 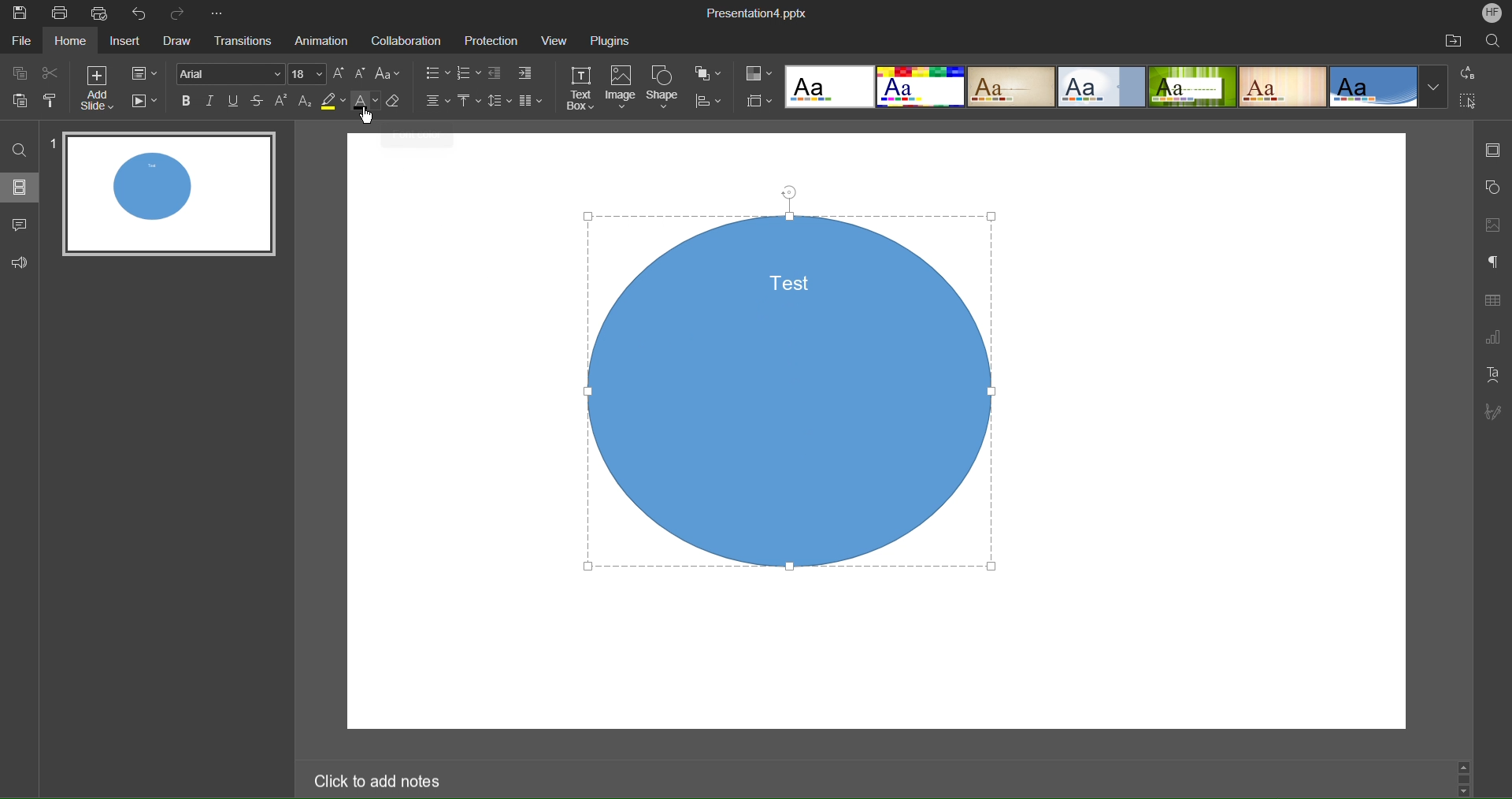 I want to click on Undo, so click(x=143, y=14).